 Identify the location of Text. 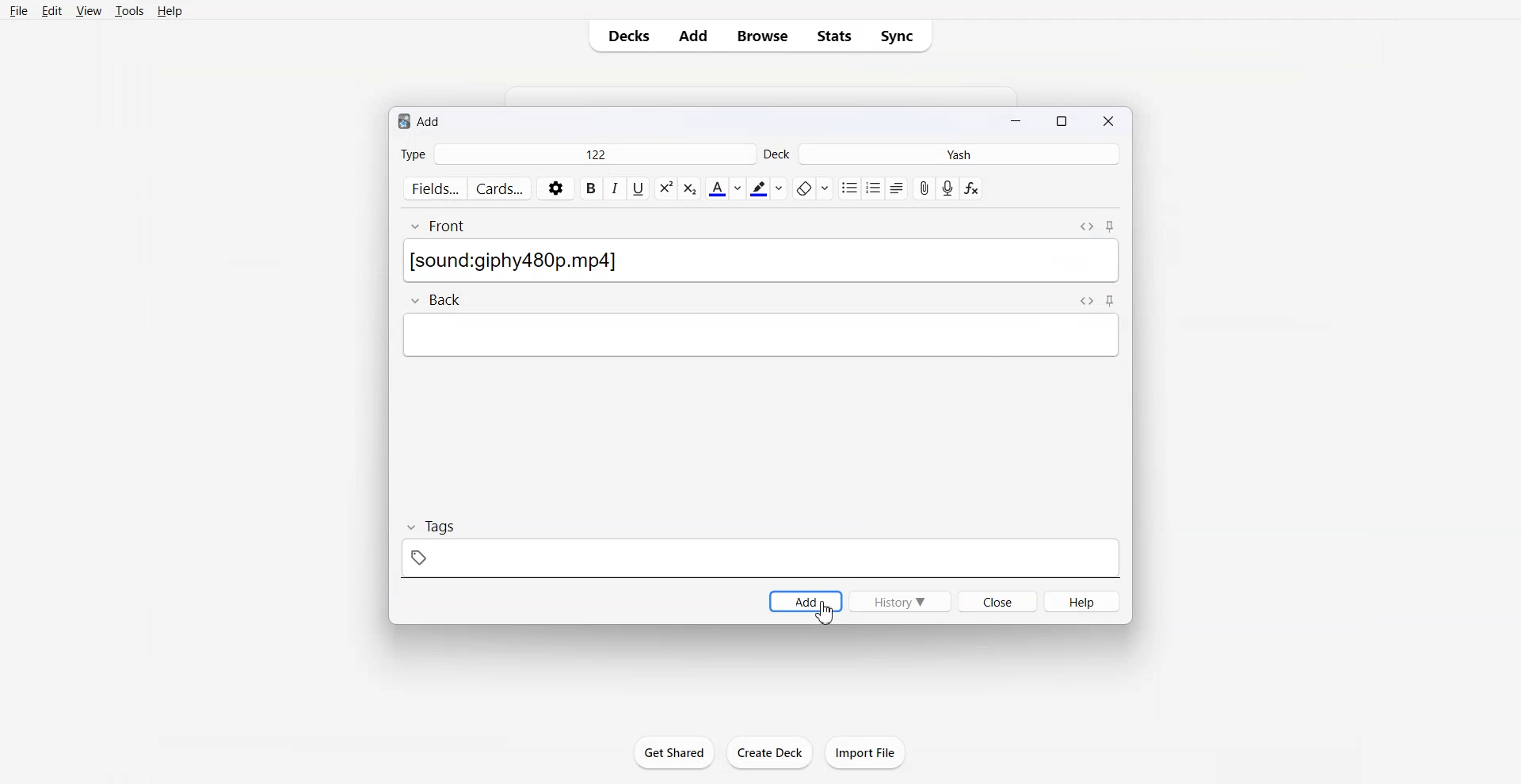
(422, 120).